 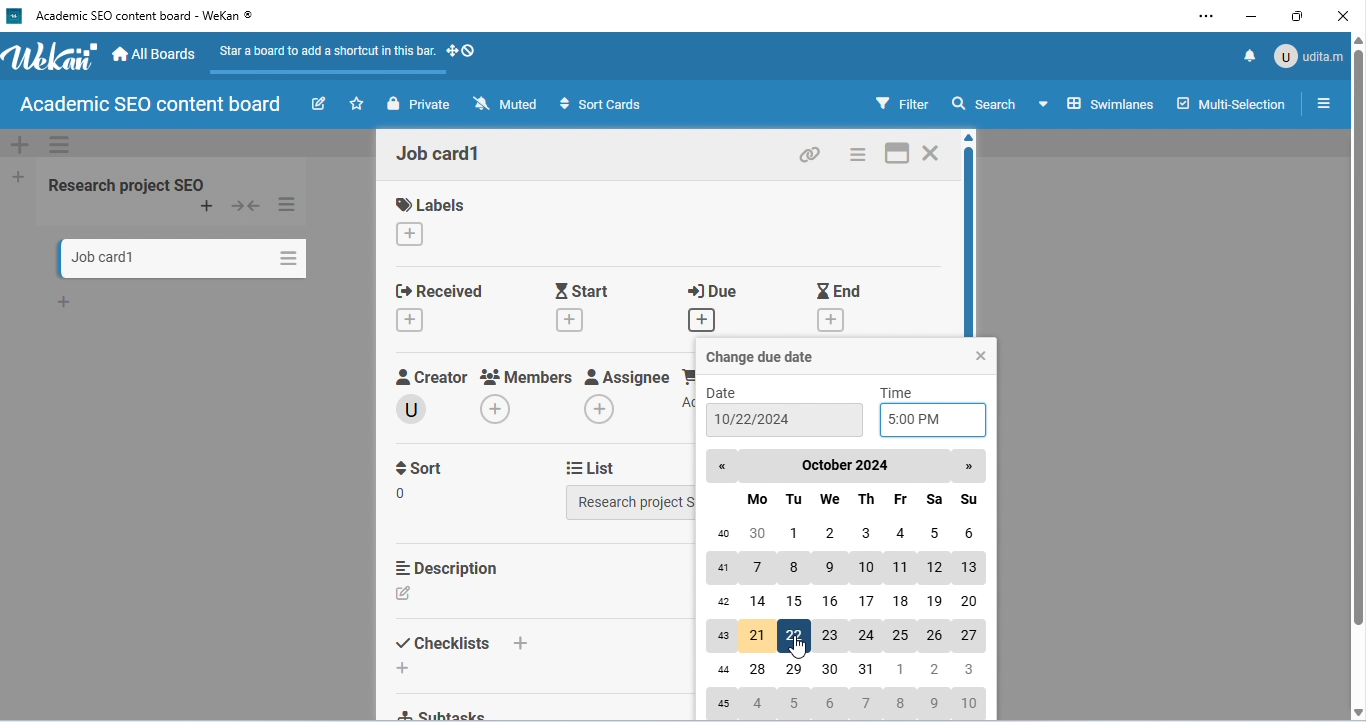 What do you see at coordinates (126, 183) in the screenshot?
I see `research project SEO` at bounding box center [126, 183].